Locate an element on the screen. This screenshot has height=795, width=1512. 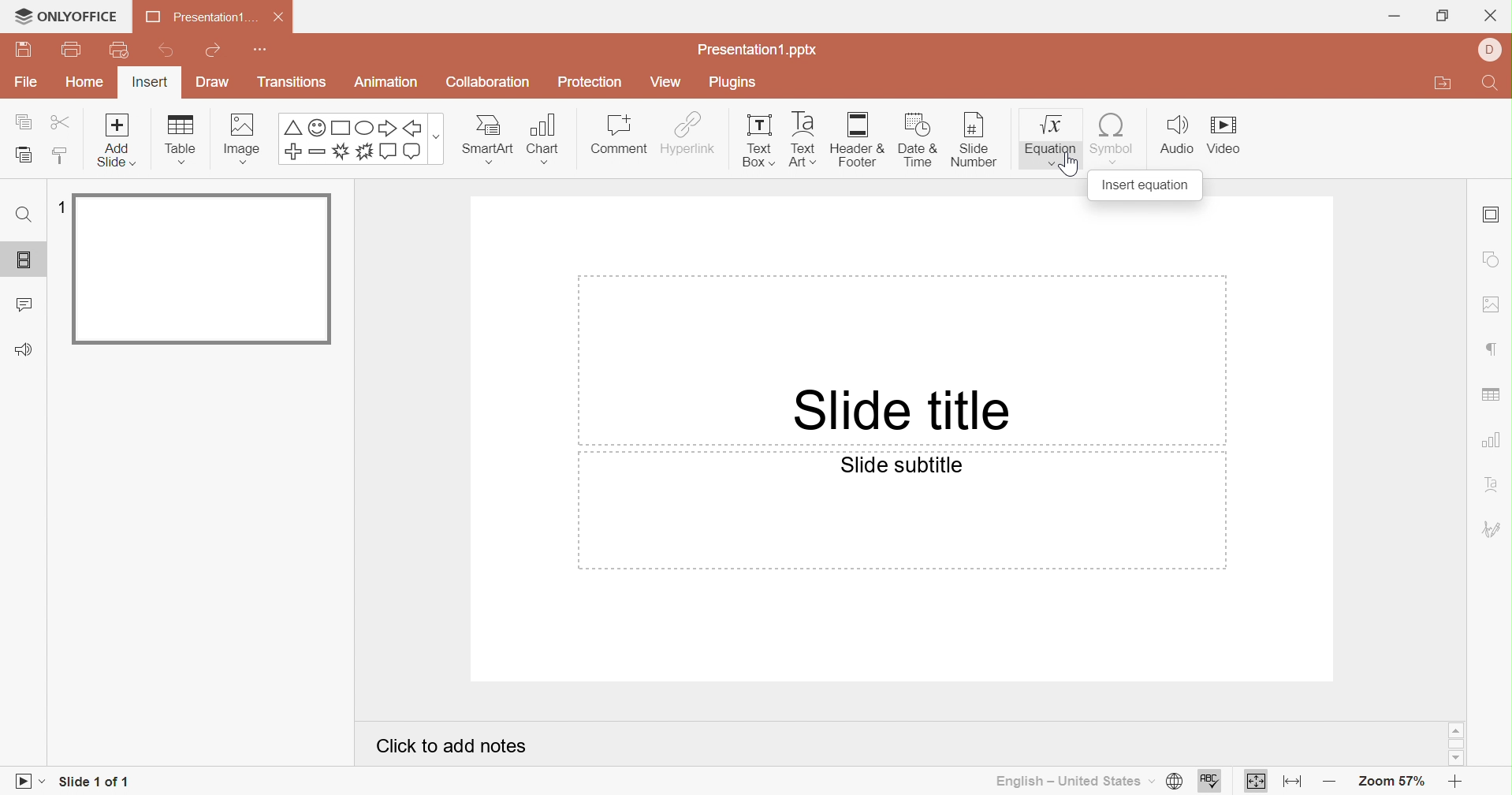
Symbols is located at coordinates (352, 141).